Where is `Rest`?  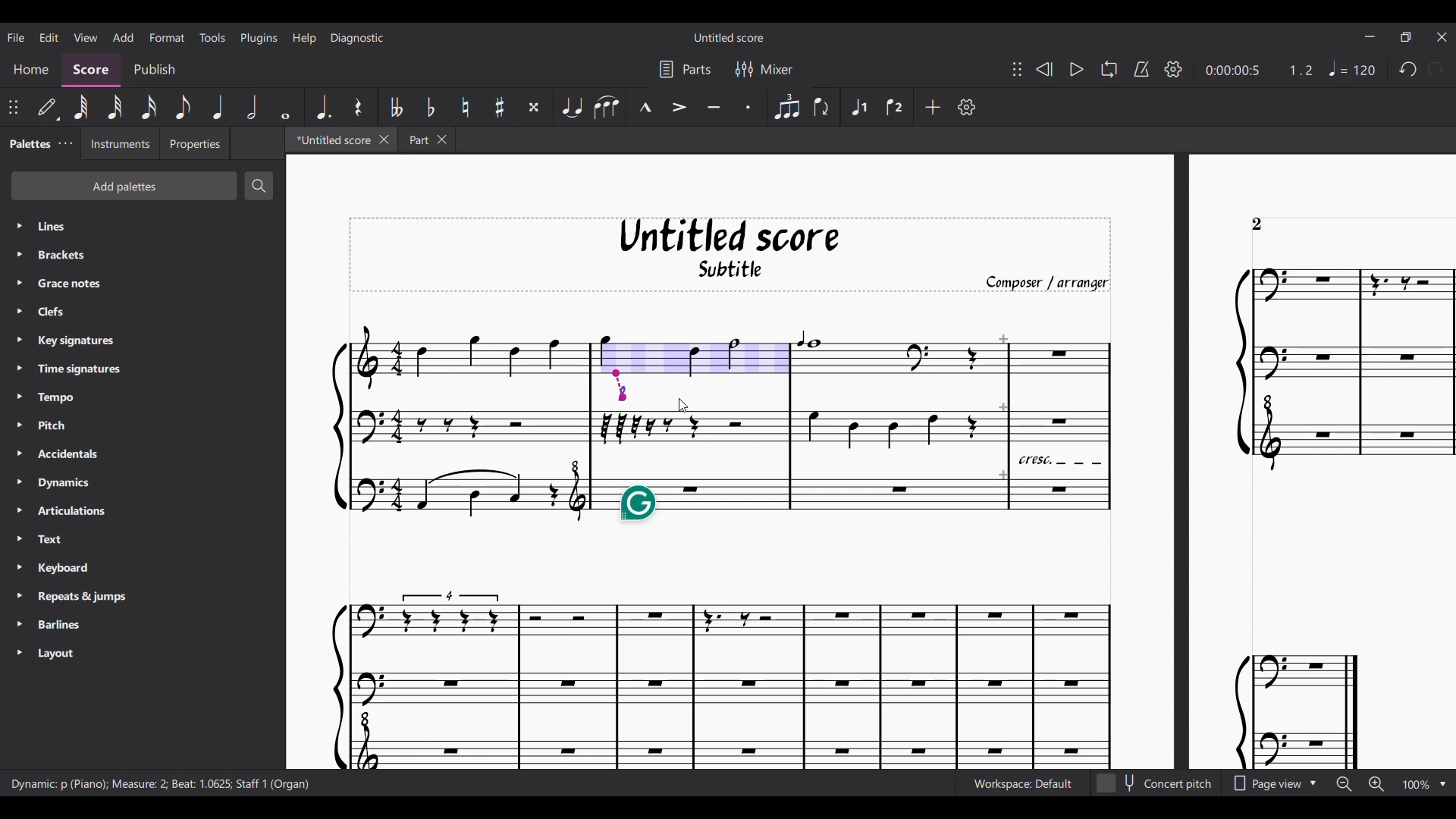
Rest is located at coordinates (359, 107).